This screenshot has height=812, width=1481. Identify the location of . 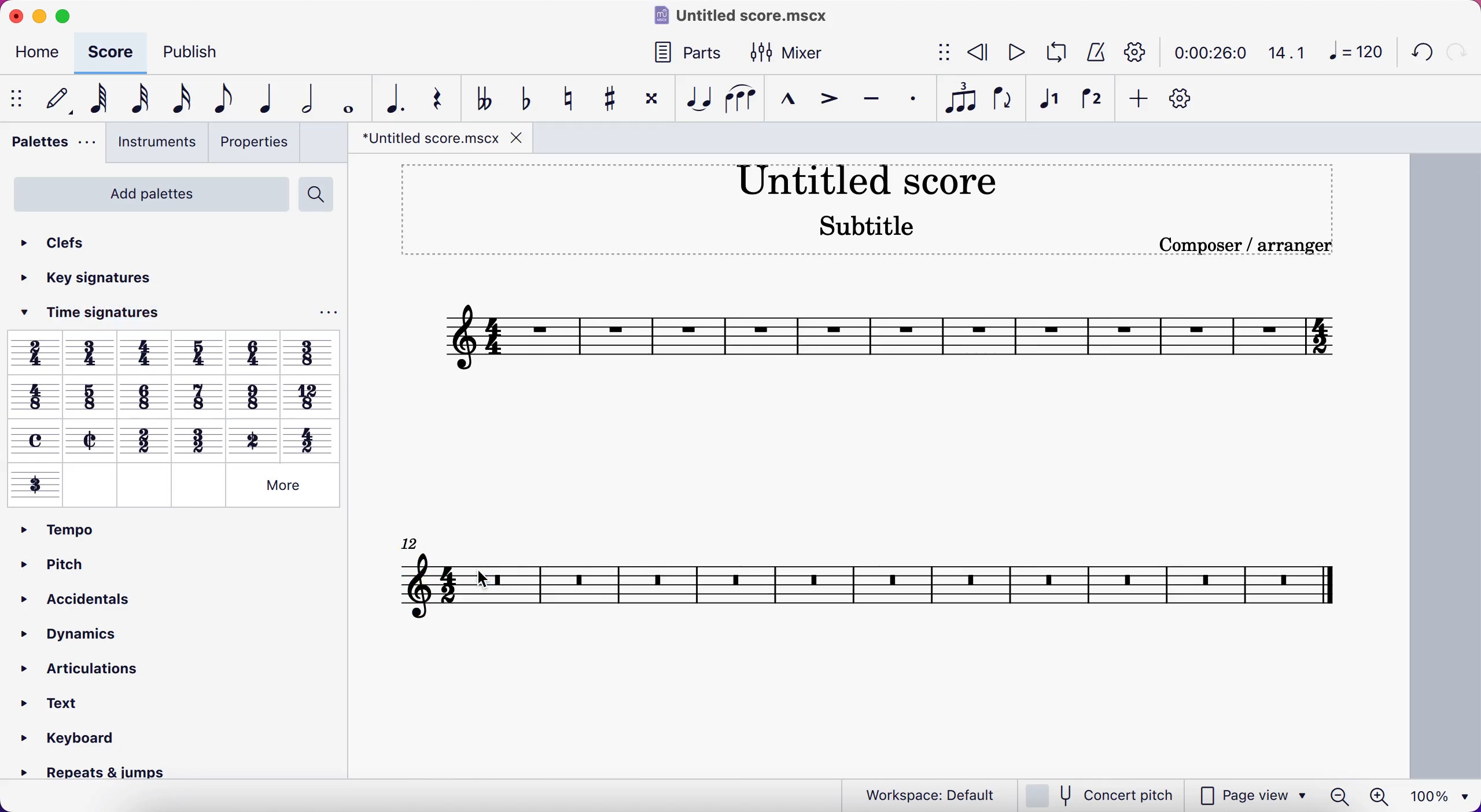
(252, 393).